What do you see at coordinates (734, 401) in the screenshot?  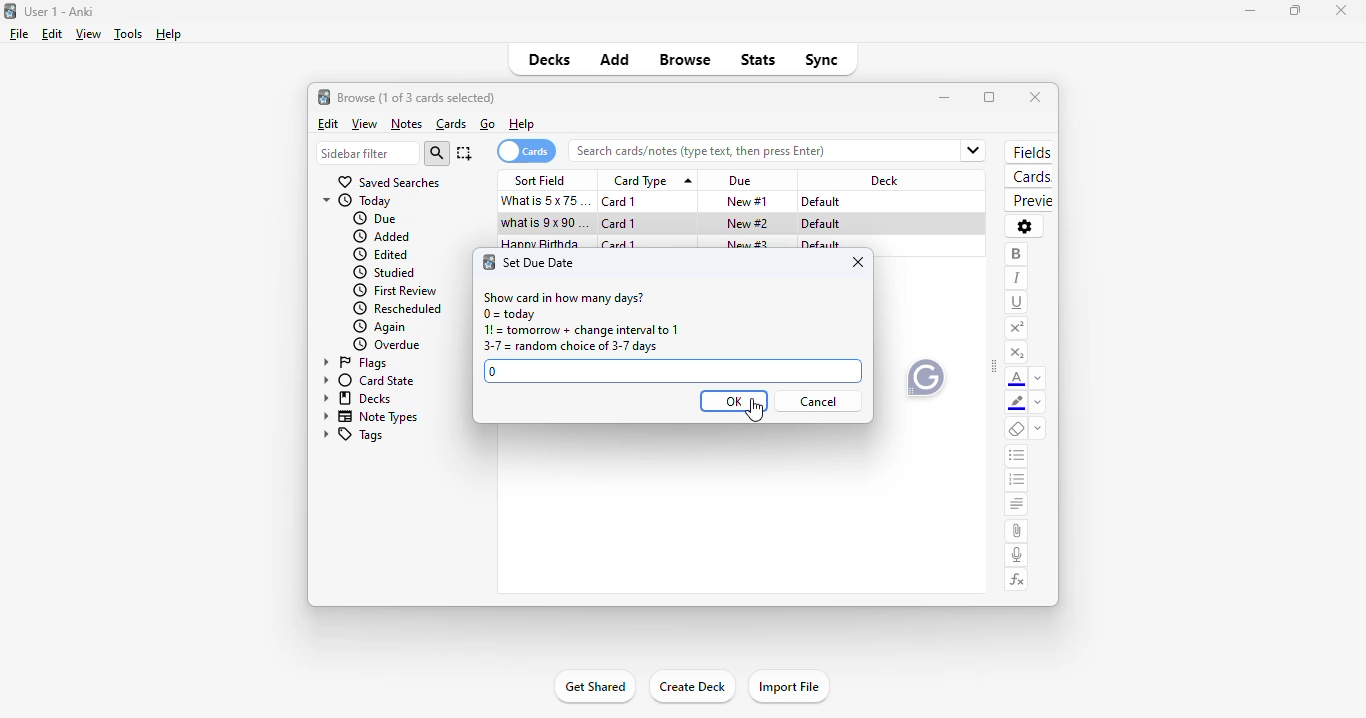 I see `OK` at bounding box center [734, 401].